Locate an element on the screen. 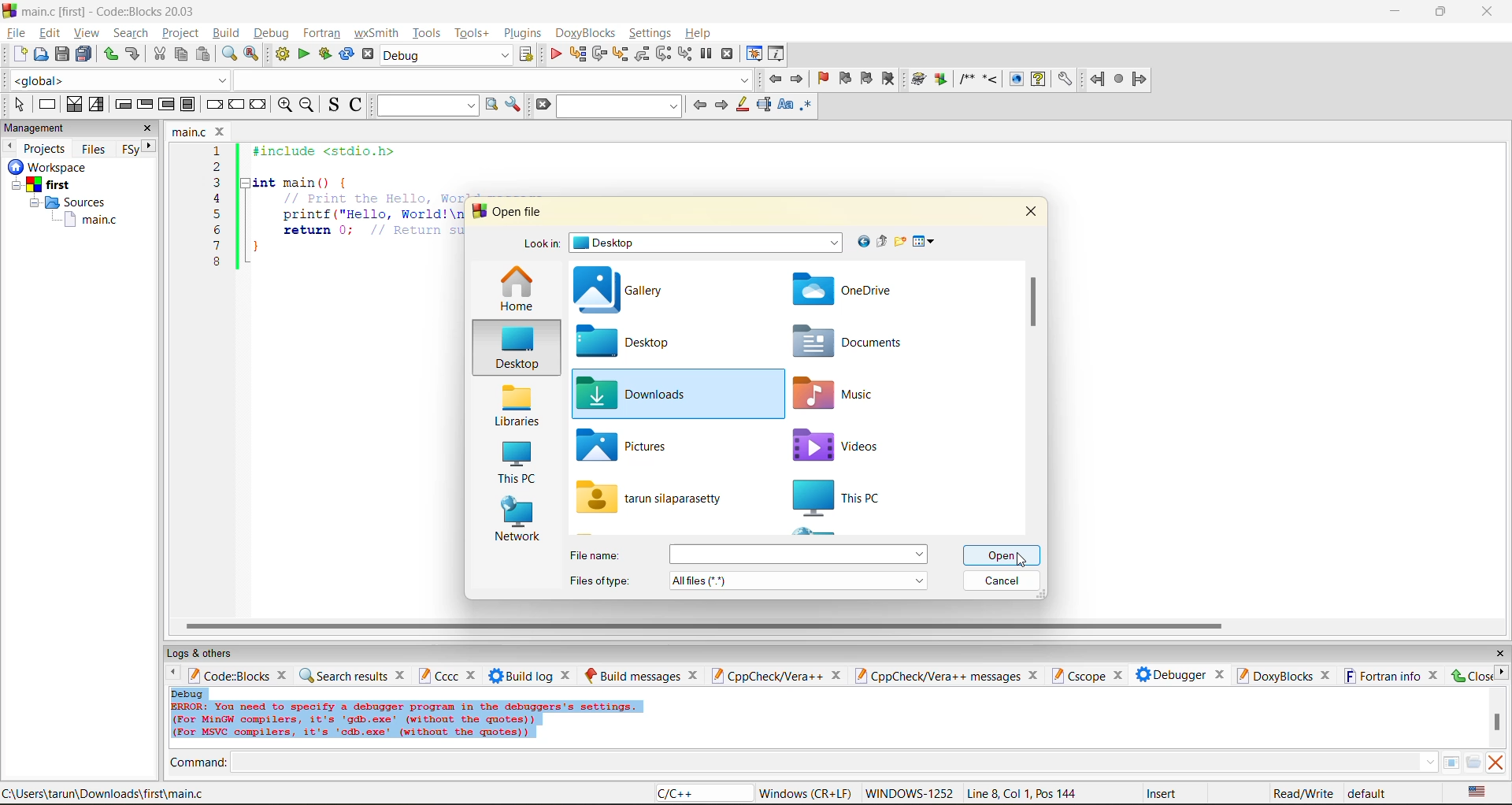  Windows (CR+LF) is located at coordinates (807, 793).